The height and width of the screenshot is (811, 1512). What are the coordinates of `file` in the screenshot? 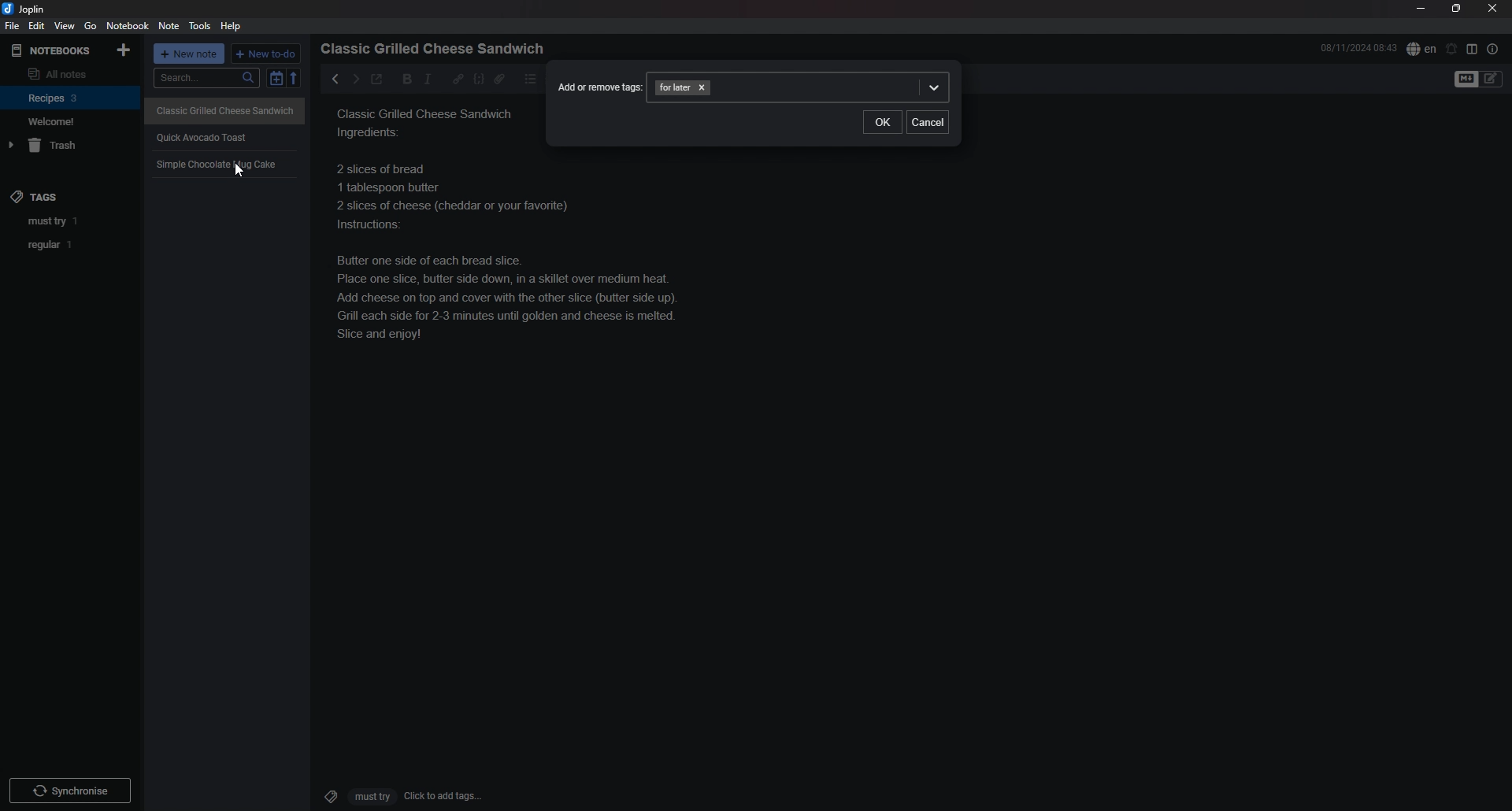 It's located at (11, 27).